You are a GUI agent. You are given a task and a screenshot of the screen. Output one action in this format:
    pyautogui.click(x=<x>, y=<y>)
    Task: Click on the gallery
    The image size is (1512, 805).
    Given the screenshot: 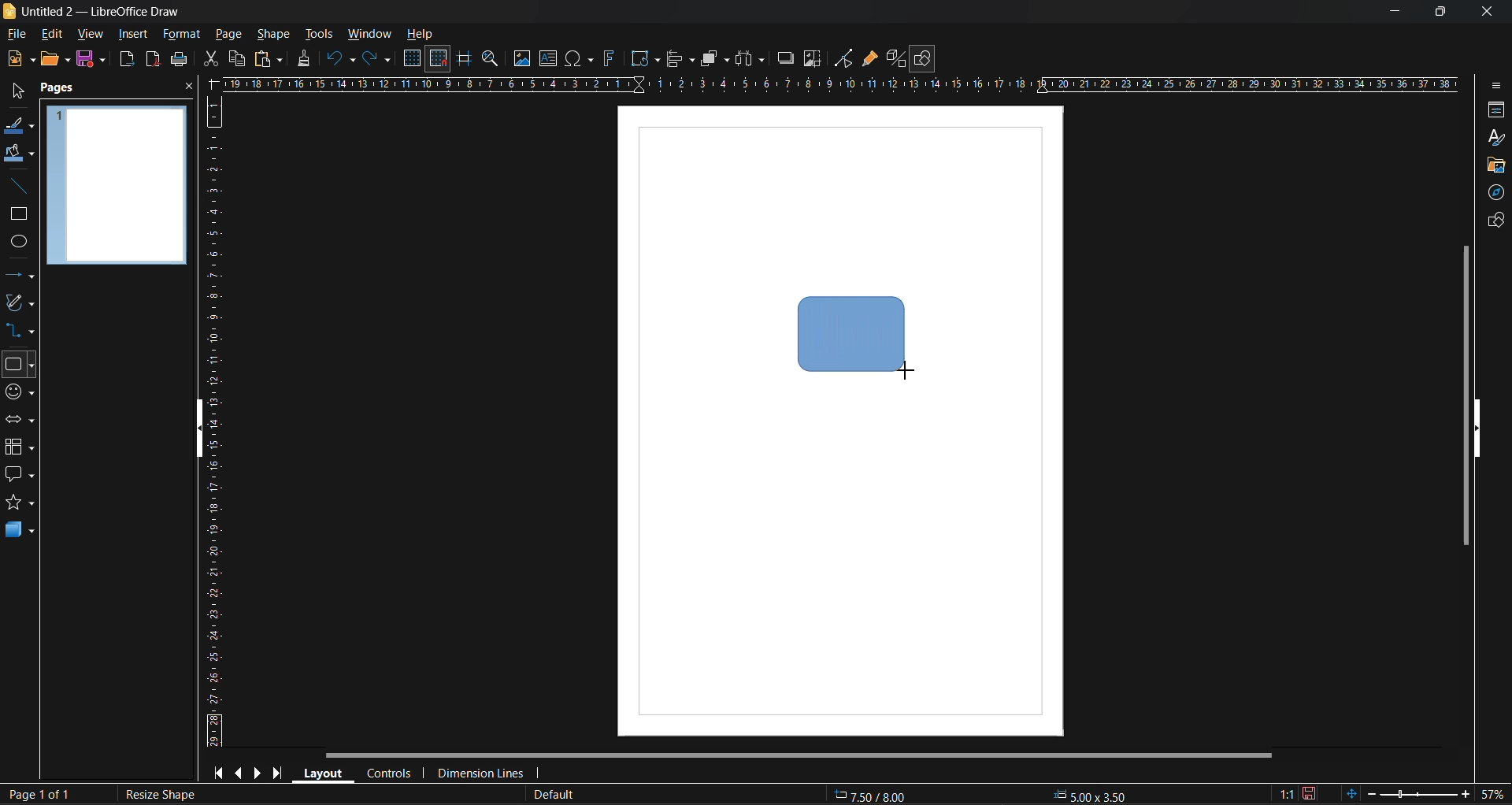 What is the action you would take?
    pyautogui.click(x=1495, y=168)
    